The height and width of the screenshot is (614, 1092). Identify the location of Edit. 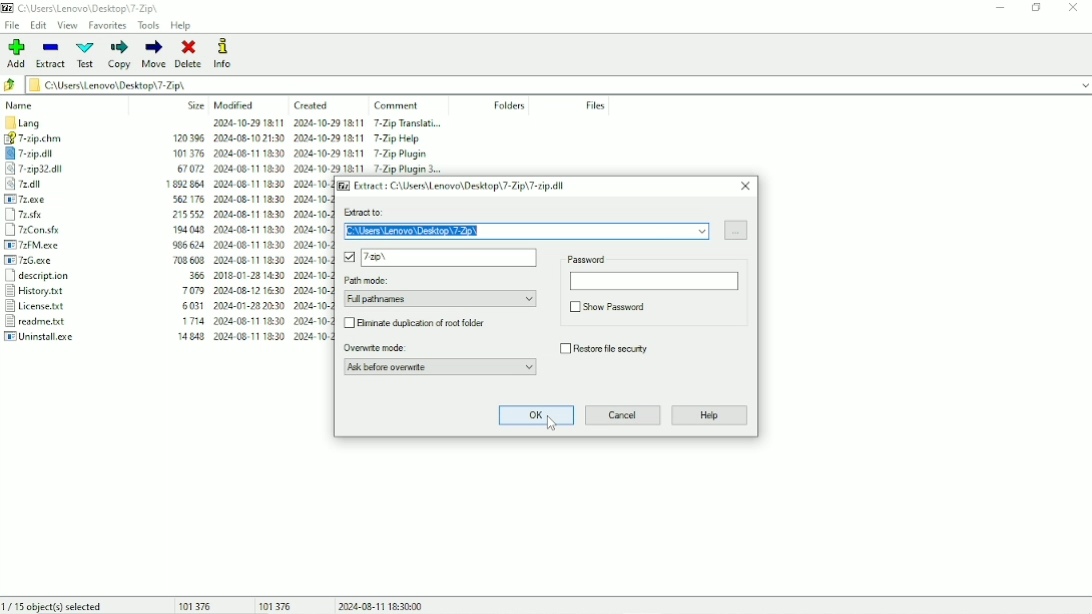
(38, 26).